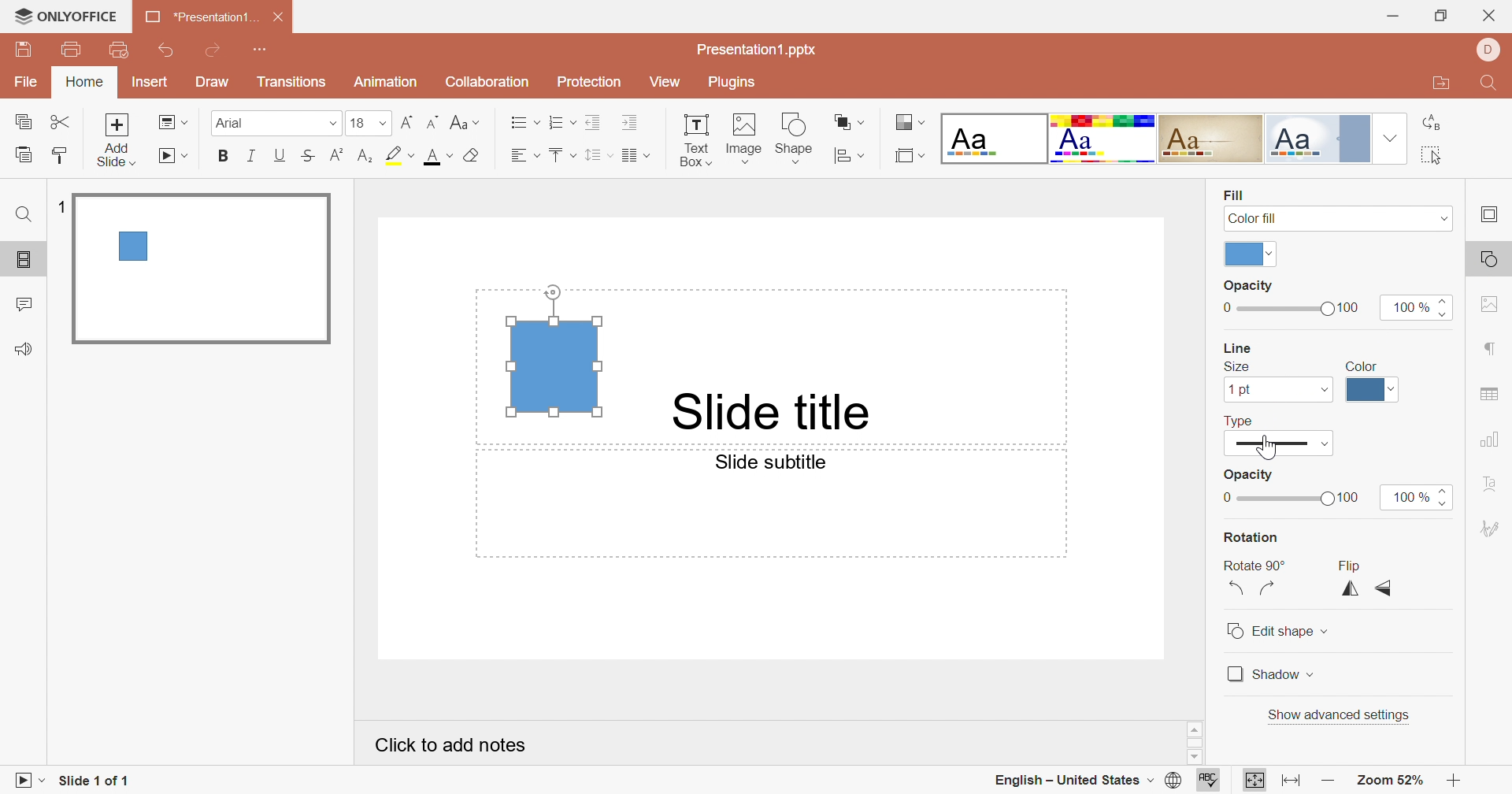  What do you see at coordinates (525, 157) in the screenshot?
I see `Align Left` at bounding box center [525, 157].